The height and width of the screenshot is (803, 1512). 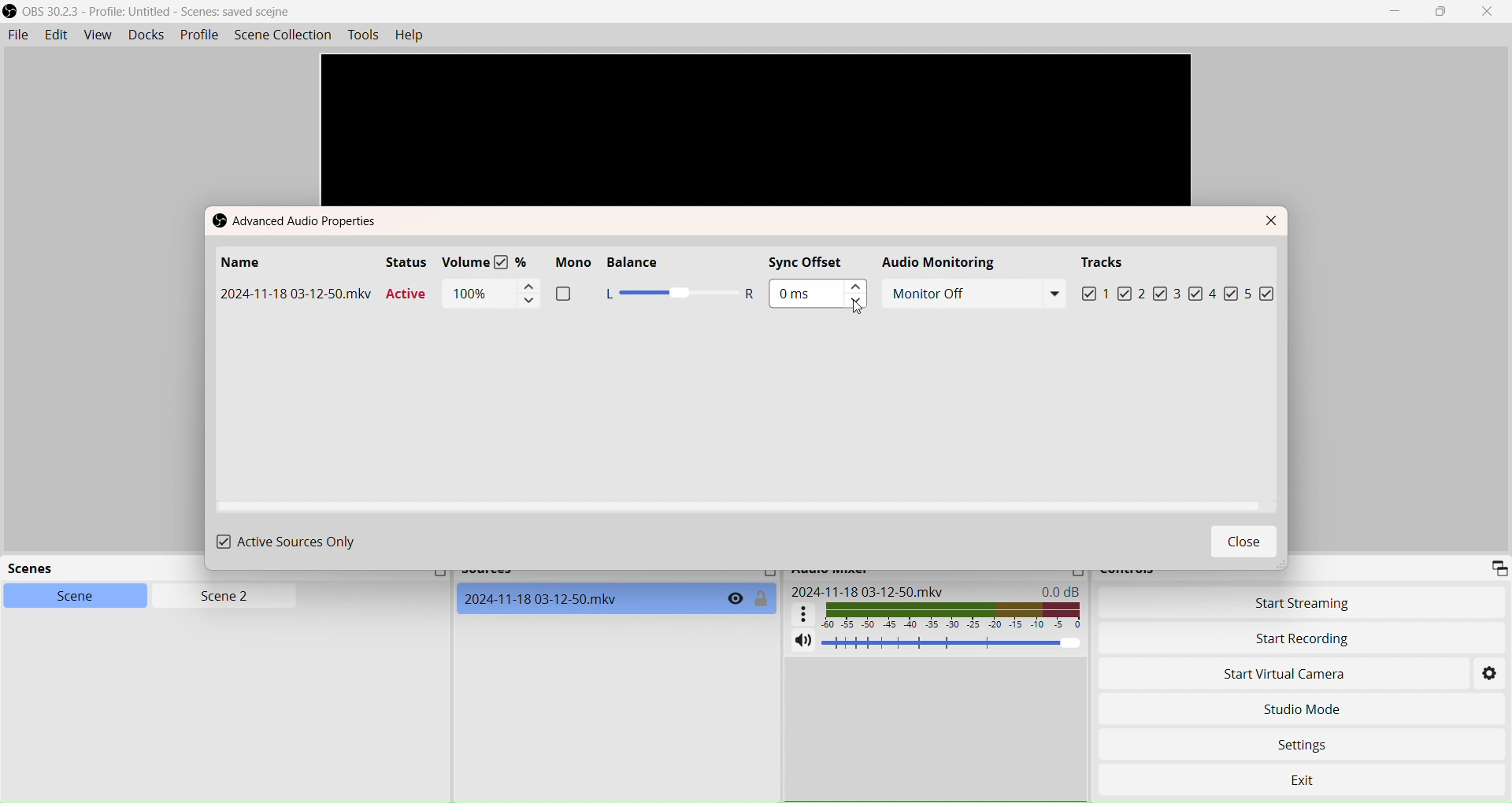 What do you see at coordinates (406, 262) in the screenshot?
I see `Status` at bounding box center [406, 262].